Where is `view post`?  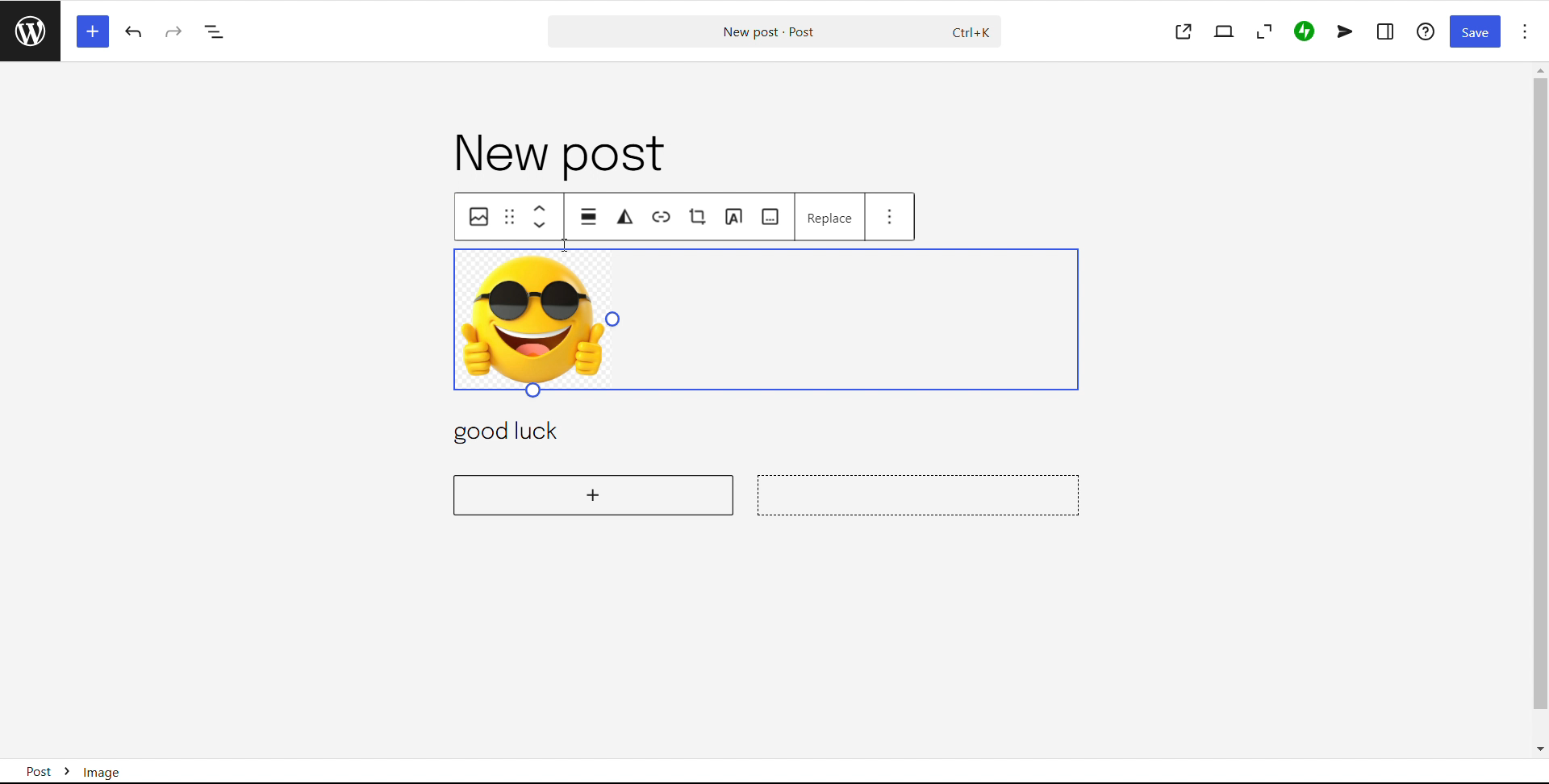
view post is located at coordinates (1184, 32).